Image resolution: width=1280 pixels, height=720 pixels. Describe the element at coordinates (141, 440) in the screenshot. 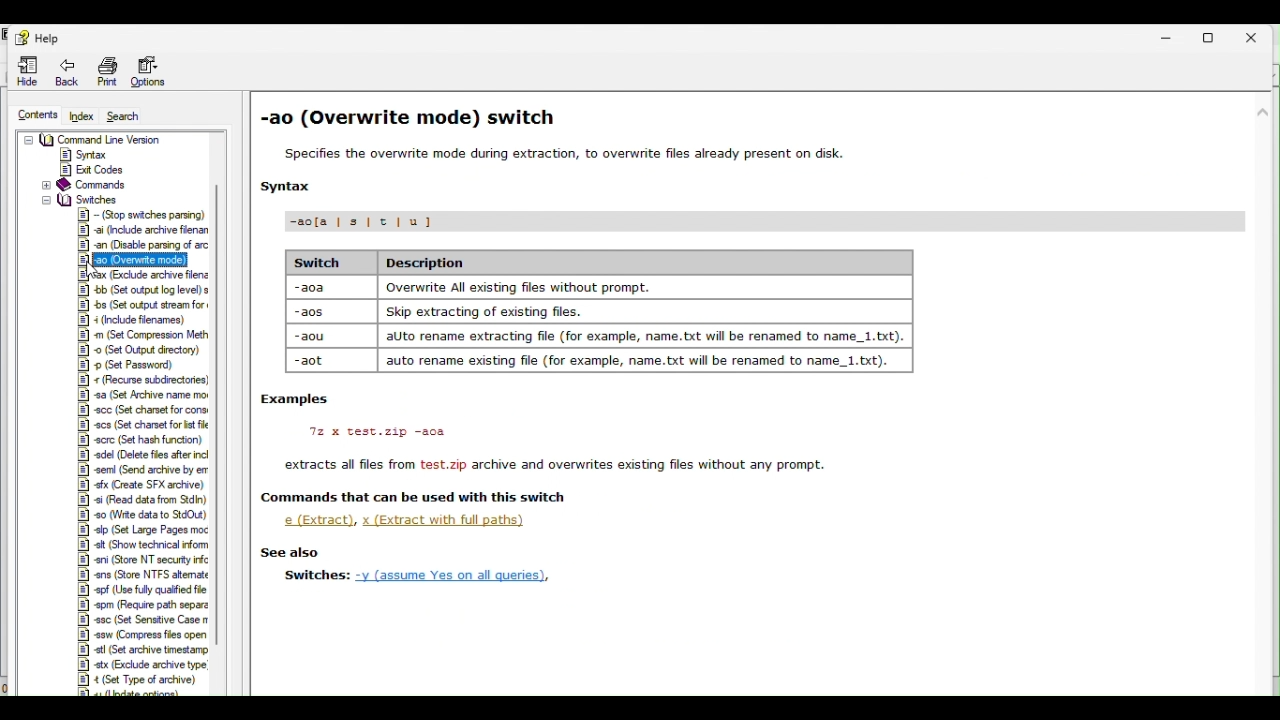

I see `8] scrc (Set hash function)` at that location.